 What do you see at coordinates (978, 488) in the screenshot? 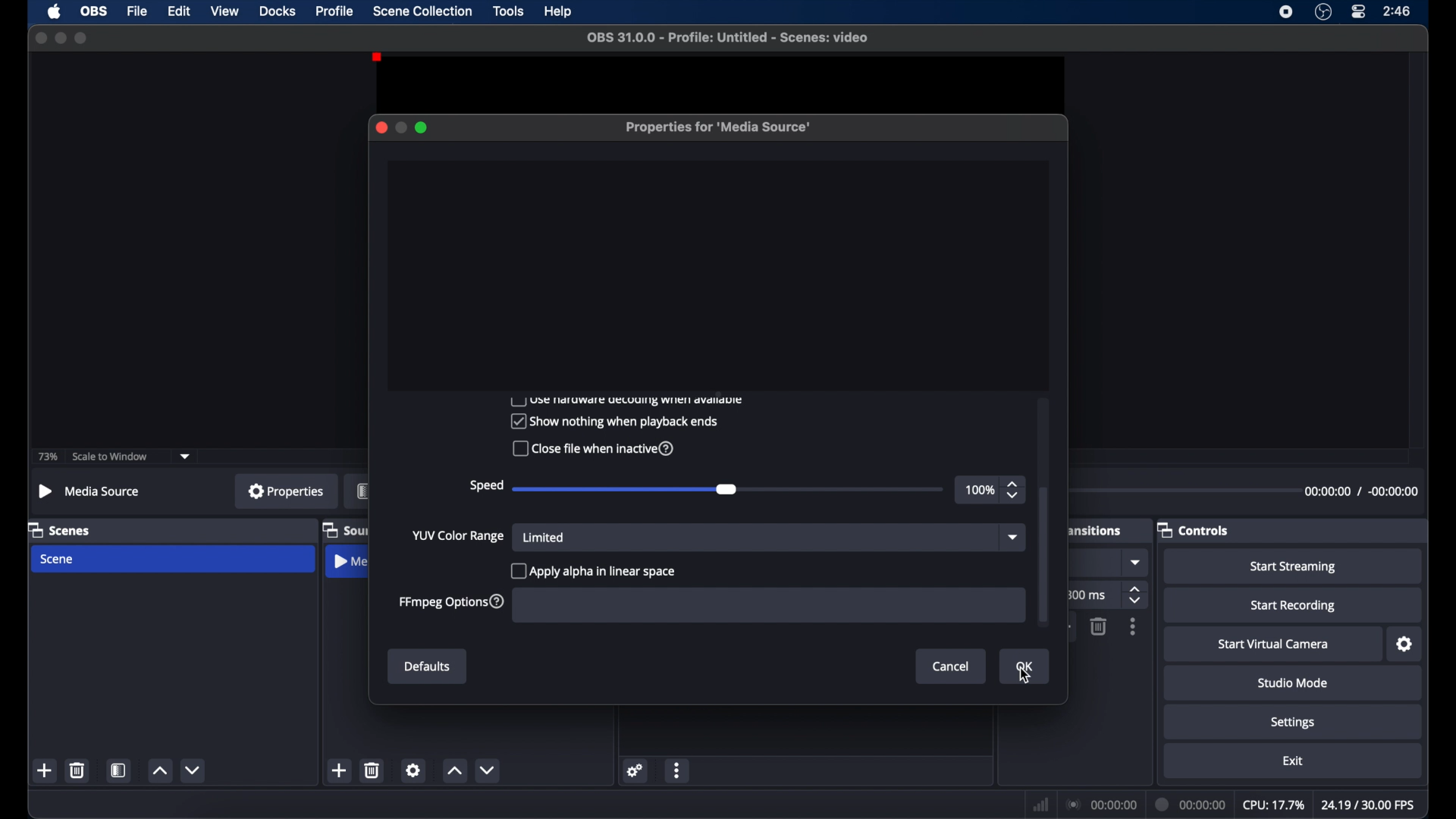
I see `100%` at bounding box center [978, 488].